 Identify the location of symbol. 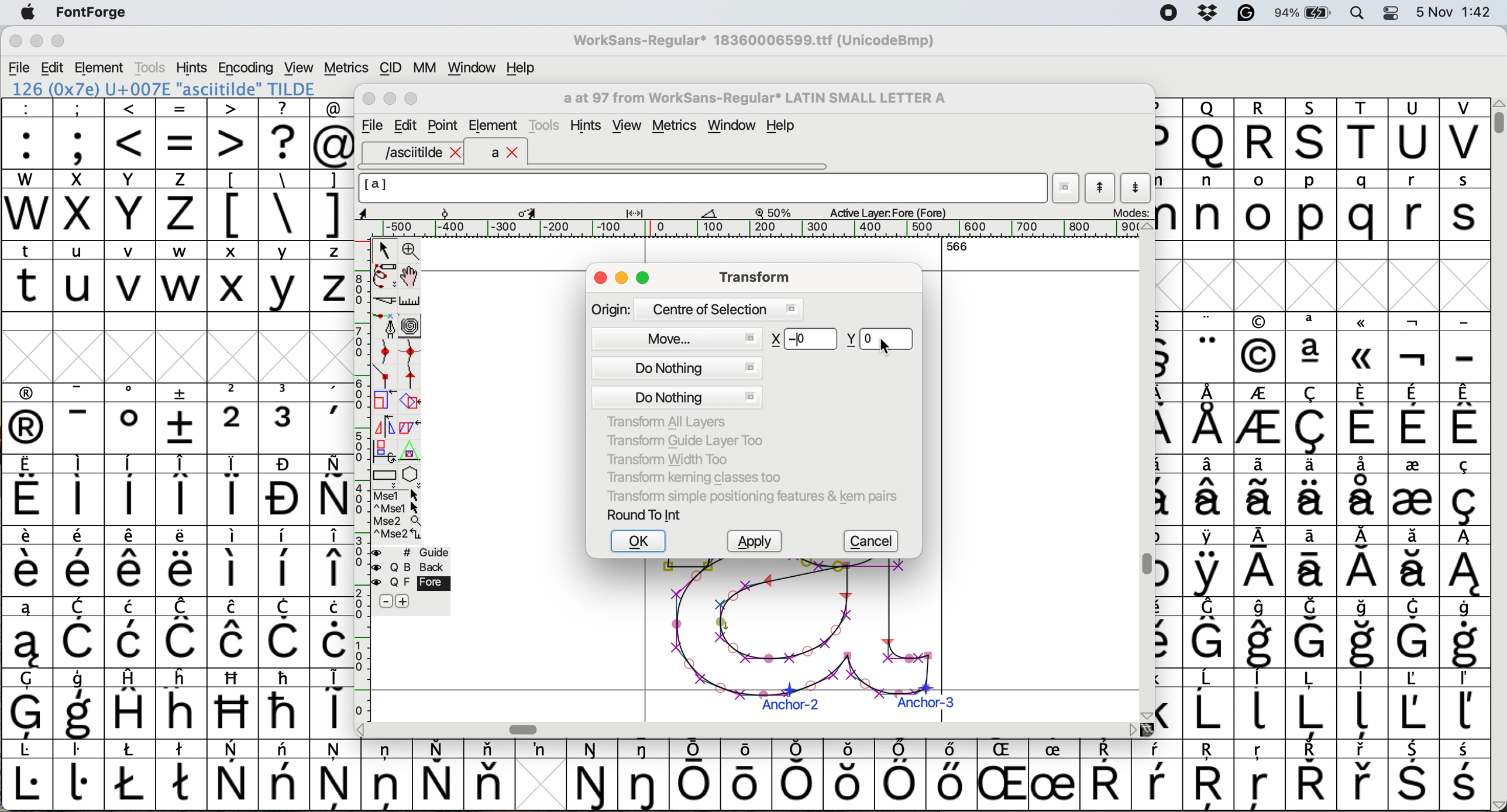
(1364, 562).